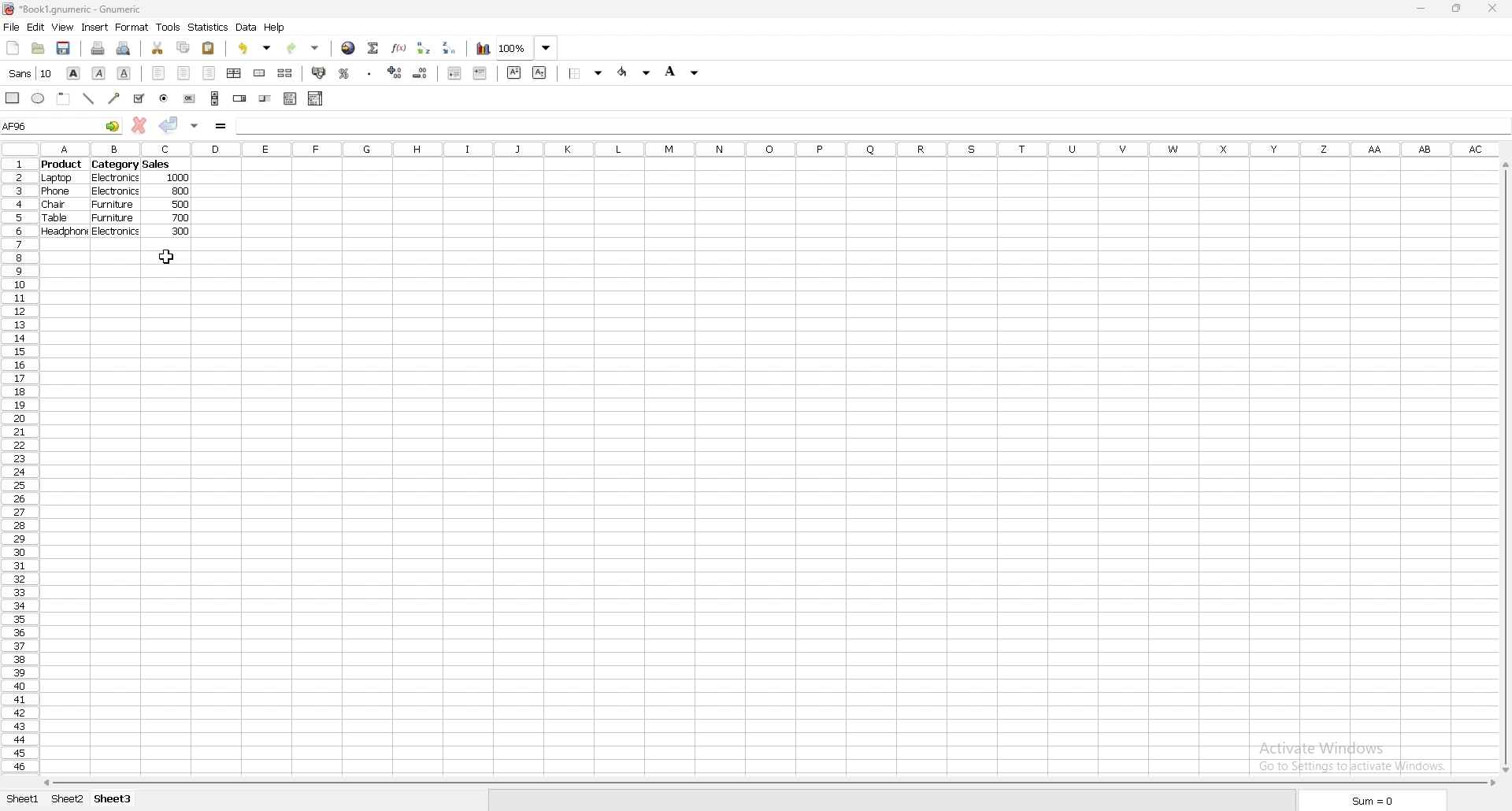 Image resolution: width=1512 pixels, height=811 pixels. What do you see at coordinates (1370, 800) in the screenshot?
I see `sum` at bounding box center [1370, 800].